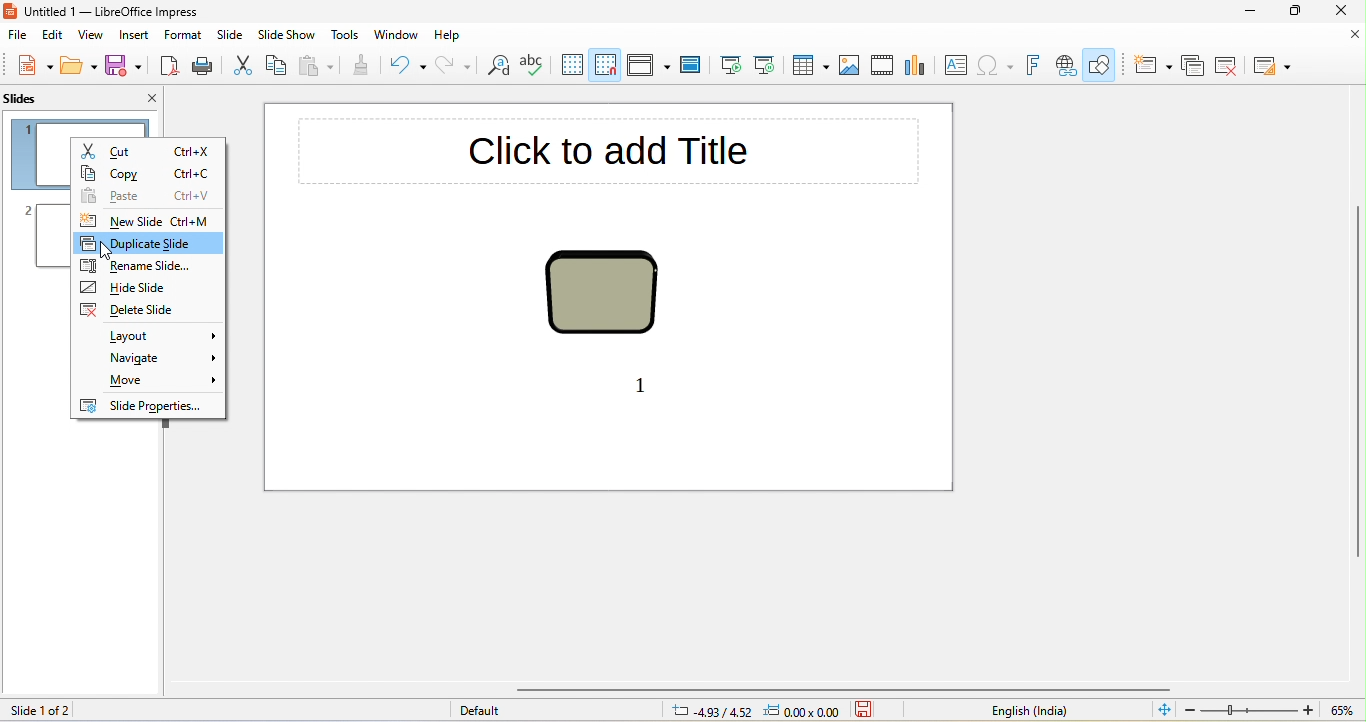 The image size is (1366, 722). I want to click on image, so click(853, 65).